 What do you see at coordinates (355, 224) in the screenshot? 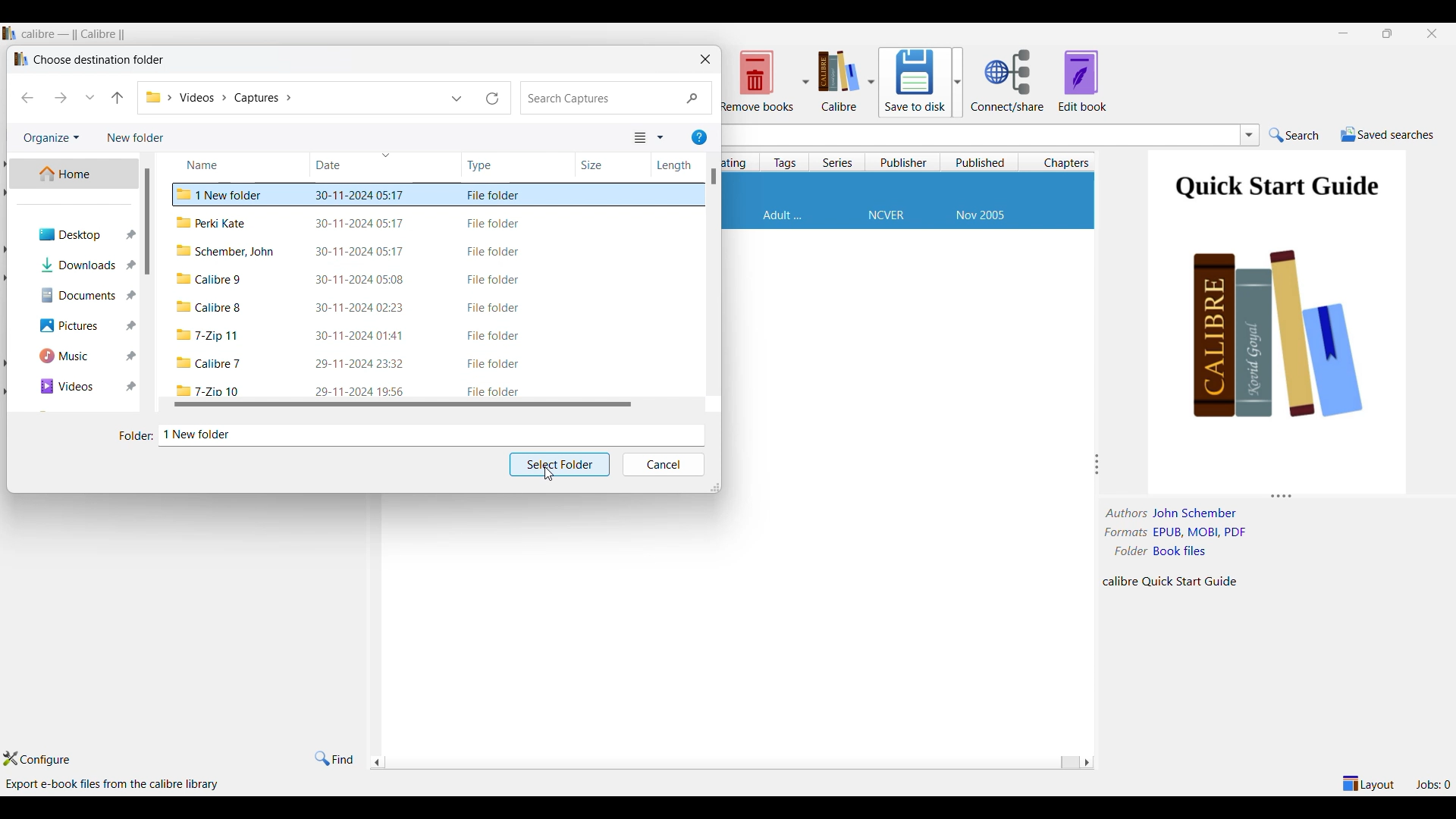
I see `date` at bounding box center [355, 224].